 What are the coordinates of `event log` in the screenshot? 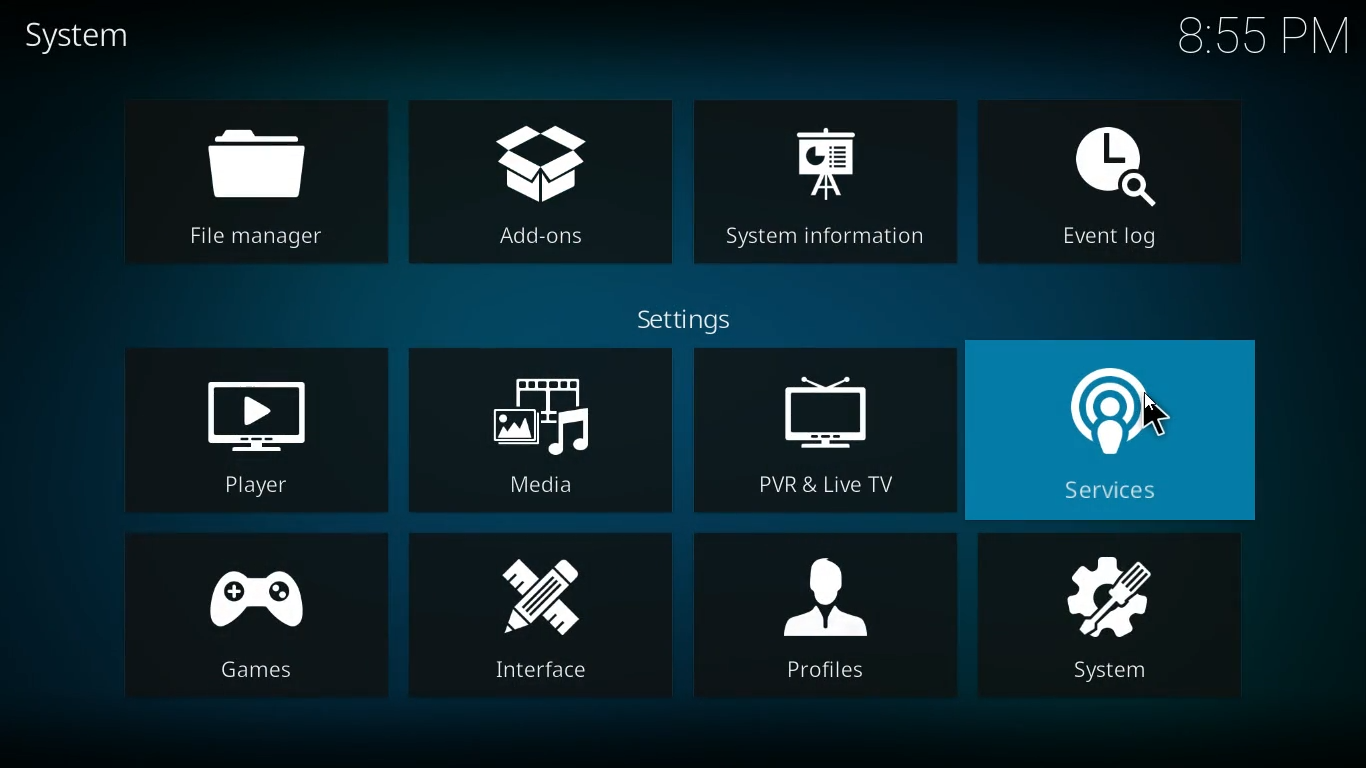 It's located at (1118, 176).